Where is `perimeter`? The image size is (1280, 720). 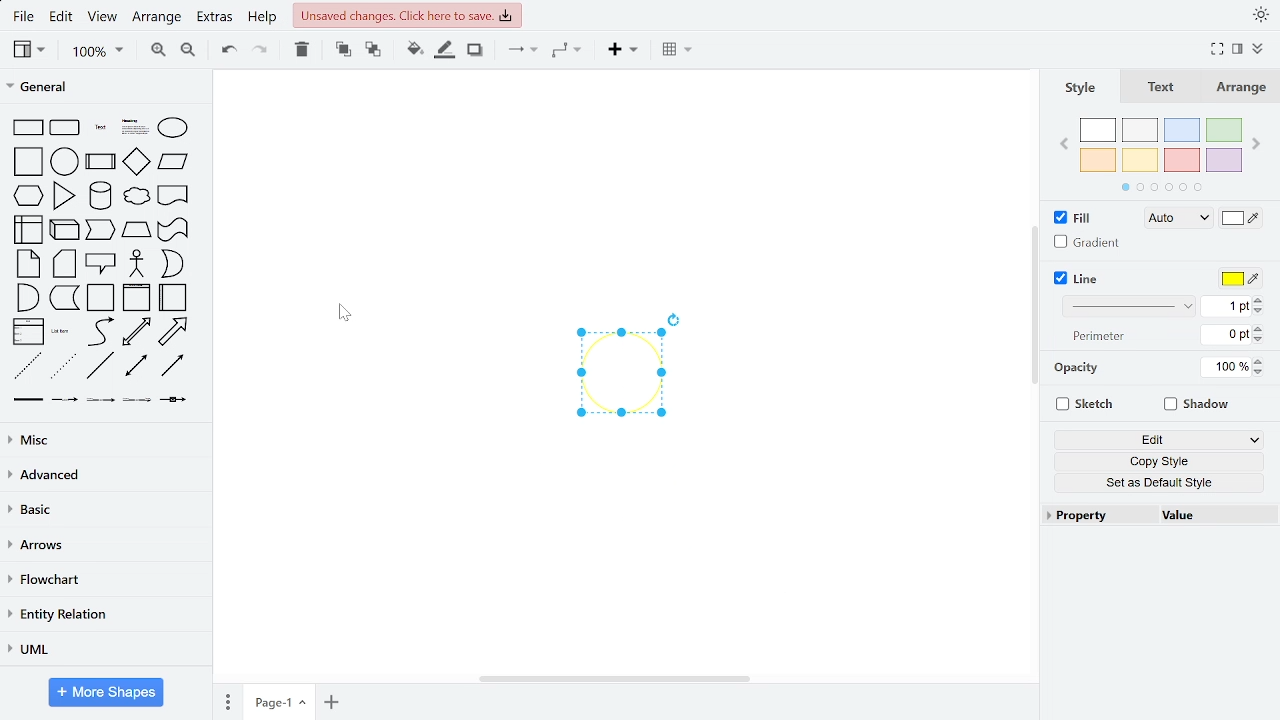 perimeter is located at coordinates (1095, 336).